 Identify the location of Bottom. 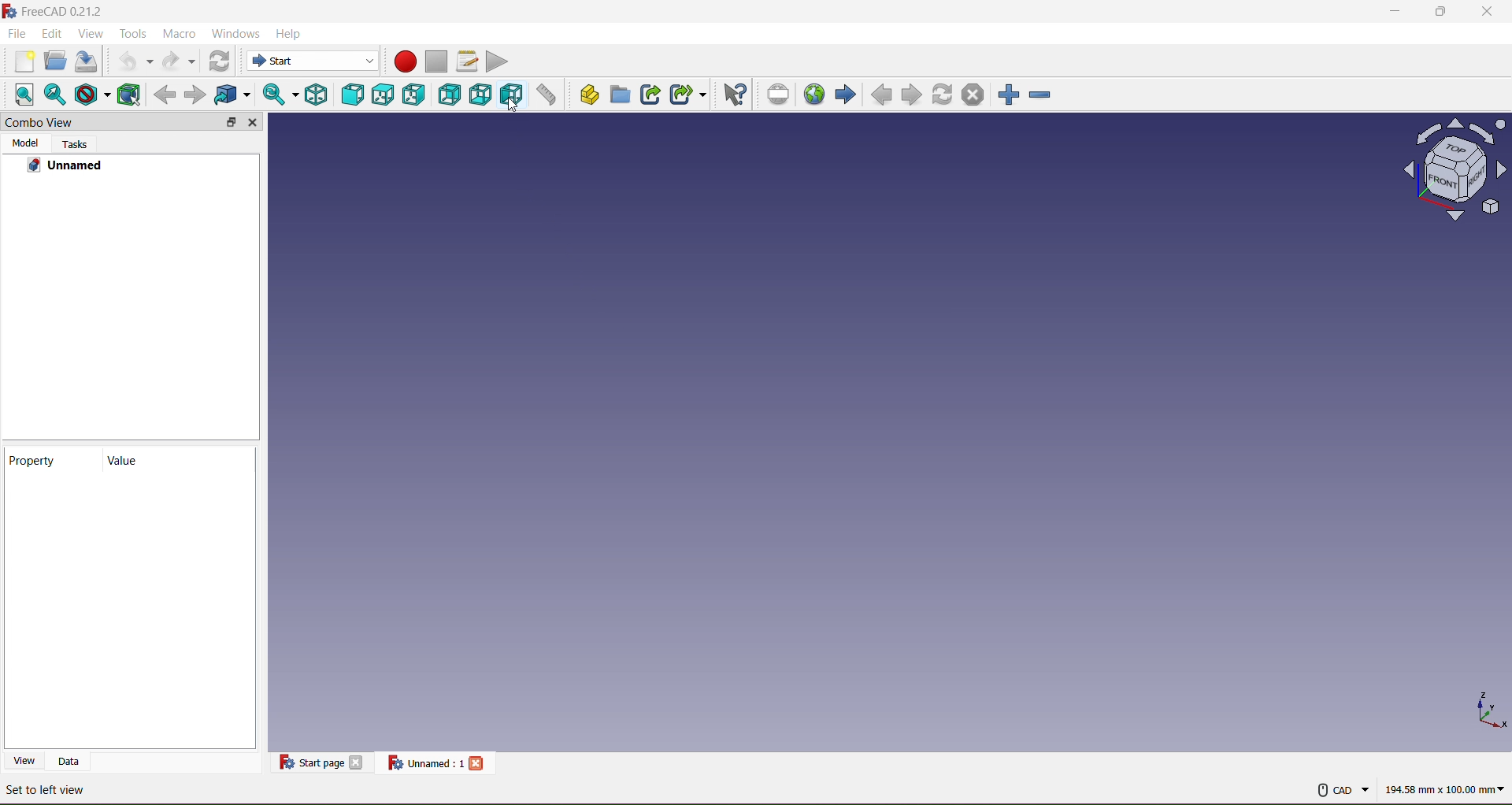
(481, 95).